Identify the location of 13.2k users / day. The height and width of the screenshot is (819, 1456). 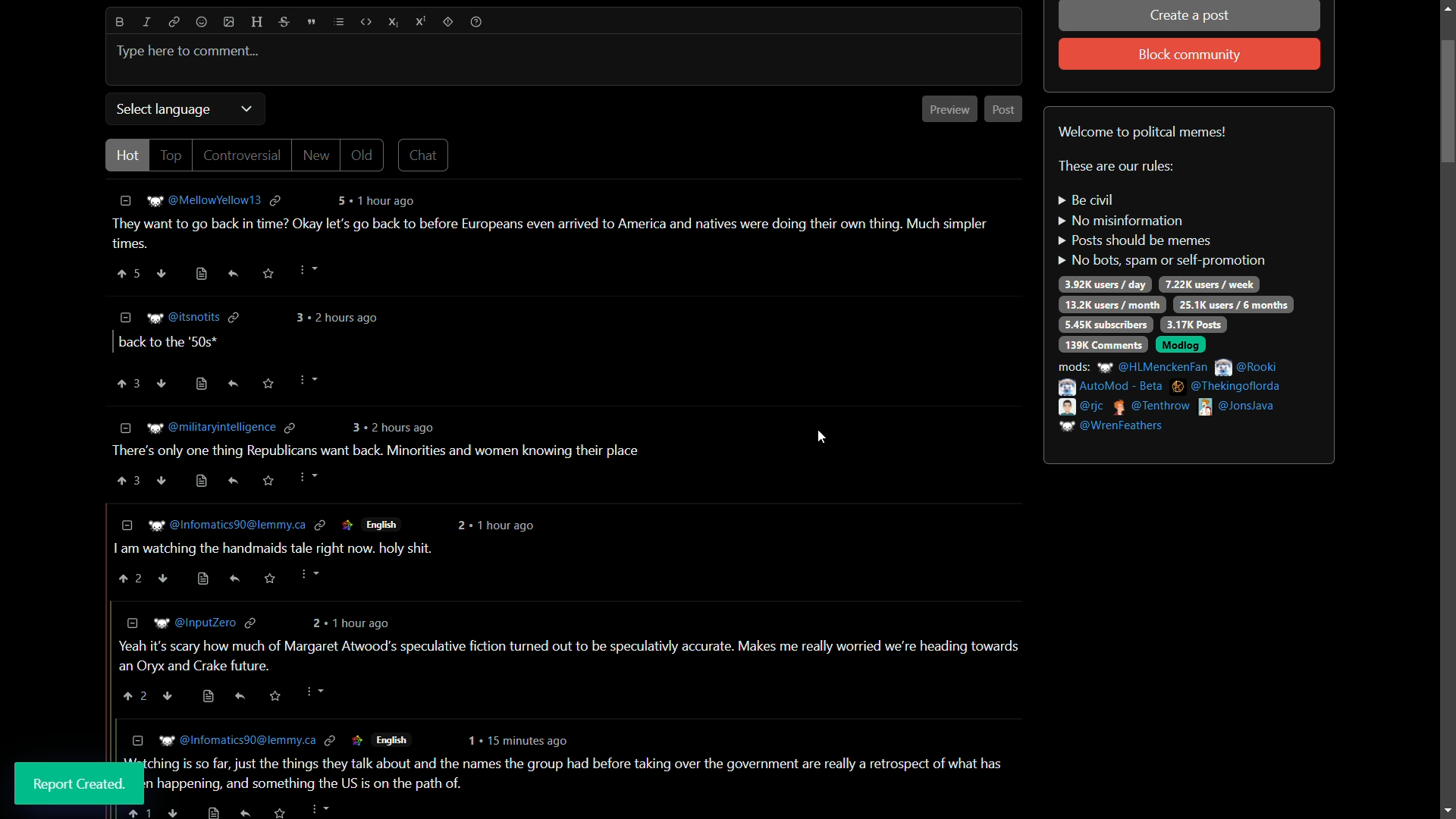
(1111, 304).